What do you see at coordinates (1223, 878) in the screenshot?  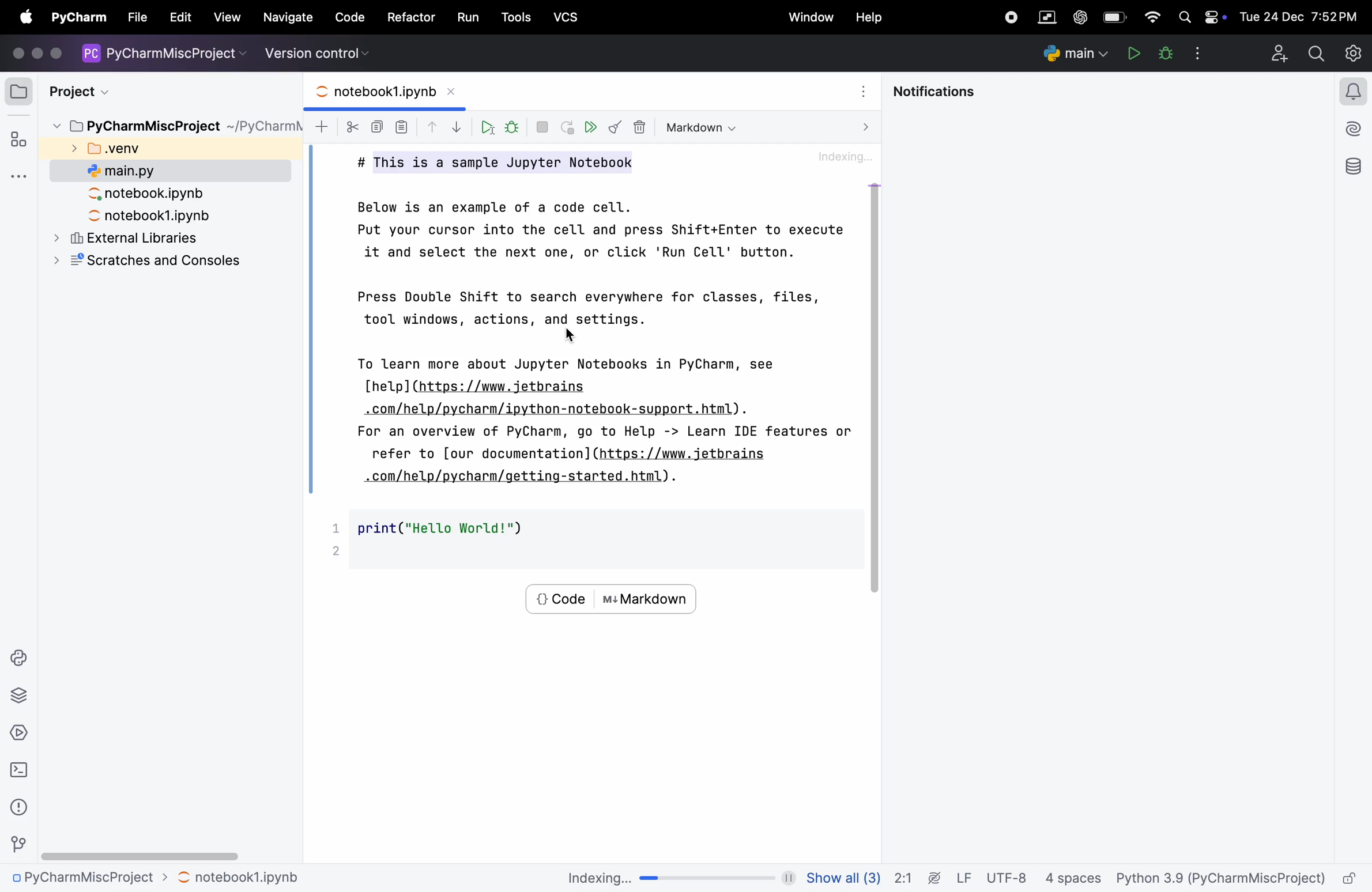 I see `Python 3.9 (PyCharmMiscProject)` at bounding box center [1223, 878].